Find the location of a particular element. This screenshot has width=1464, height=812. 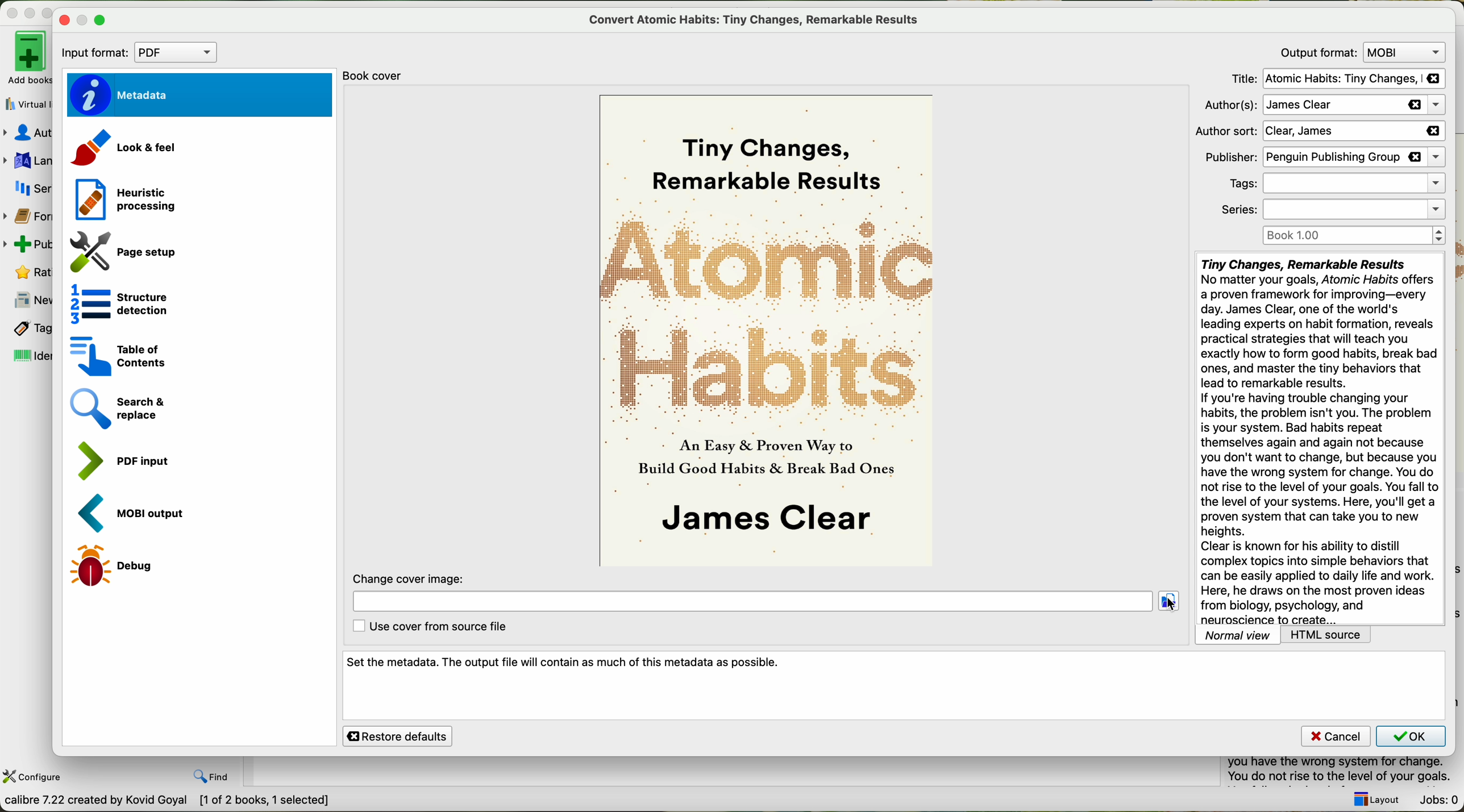

MOBI output is located at coordinates (138, 514).